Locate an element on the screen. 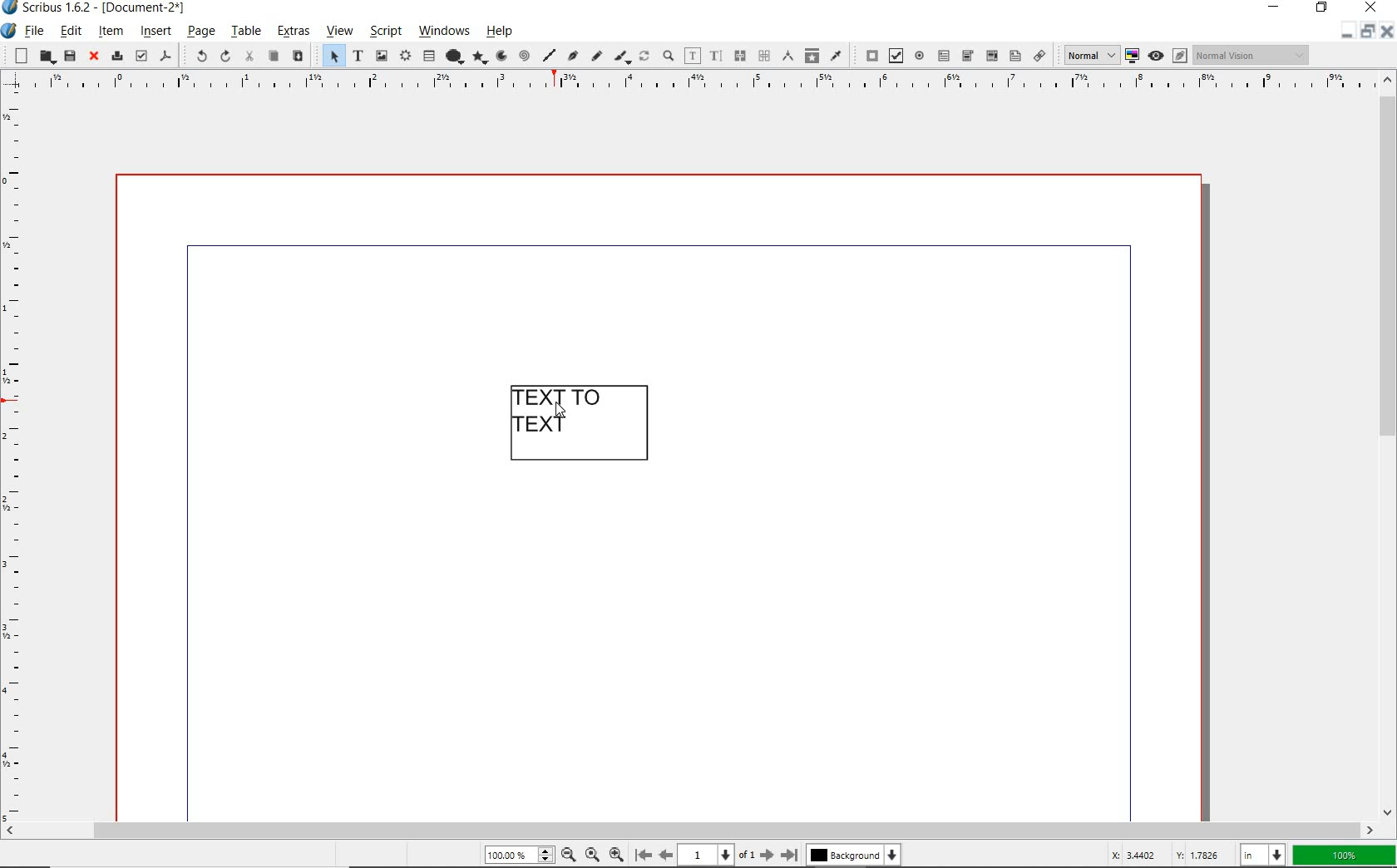  pdf combo box is located at coordinates (991, 57).